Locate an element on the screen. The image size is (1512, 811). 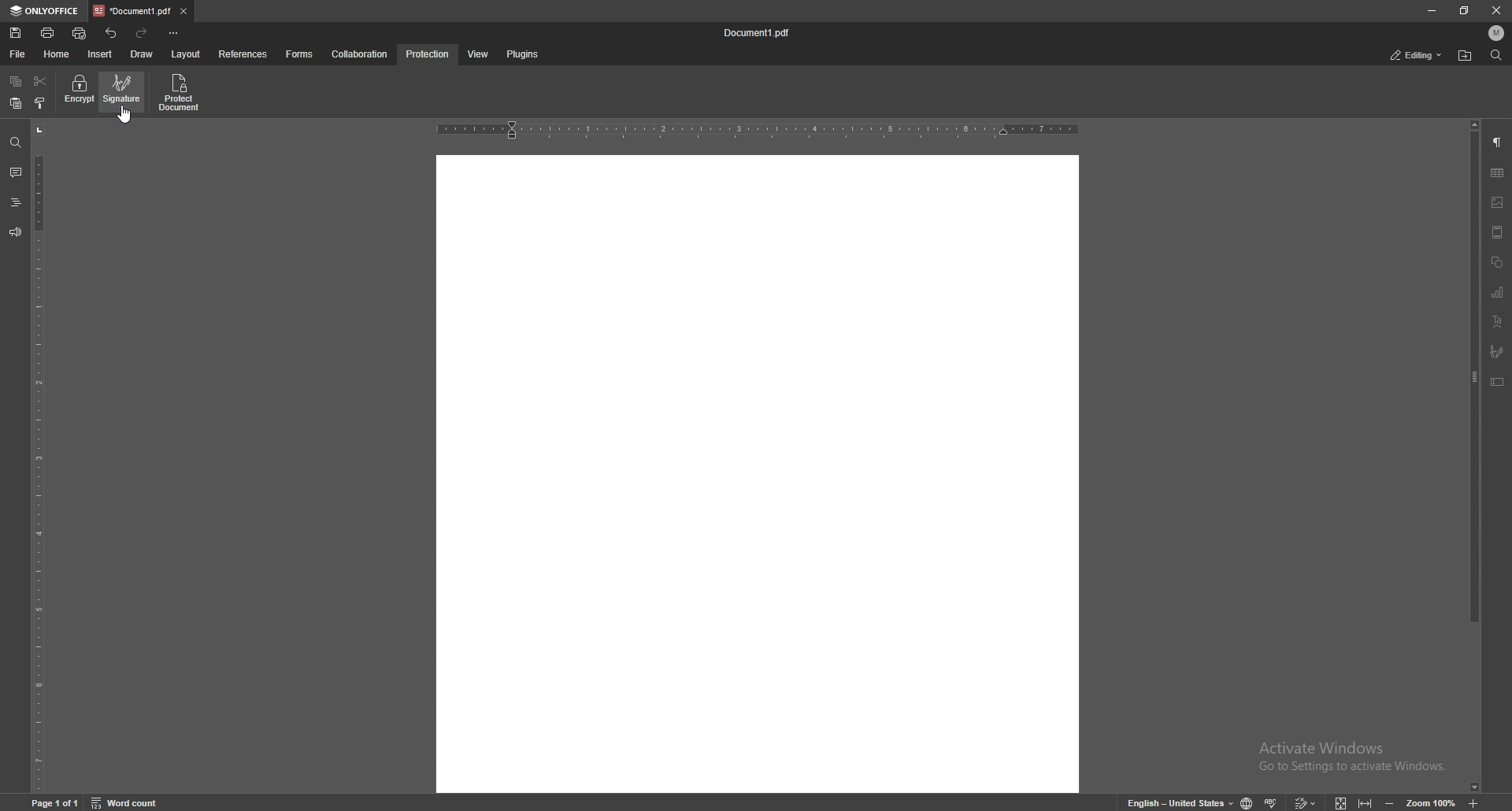
onlyoffice is located at coordinates (46, 11).